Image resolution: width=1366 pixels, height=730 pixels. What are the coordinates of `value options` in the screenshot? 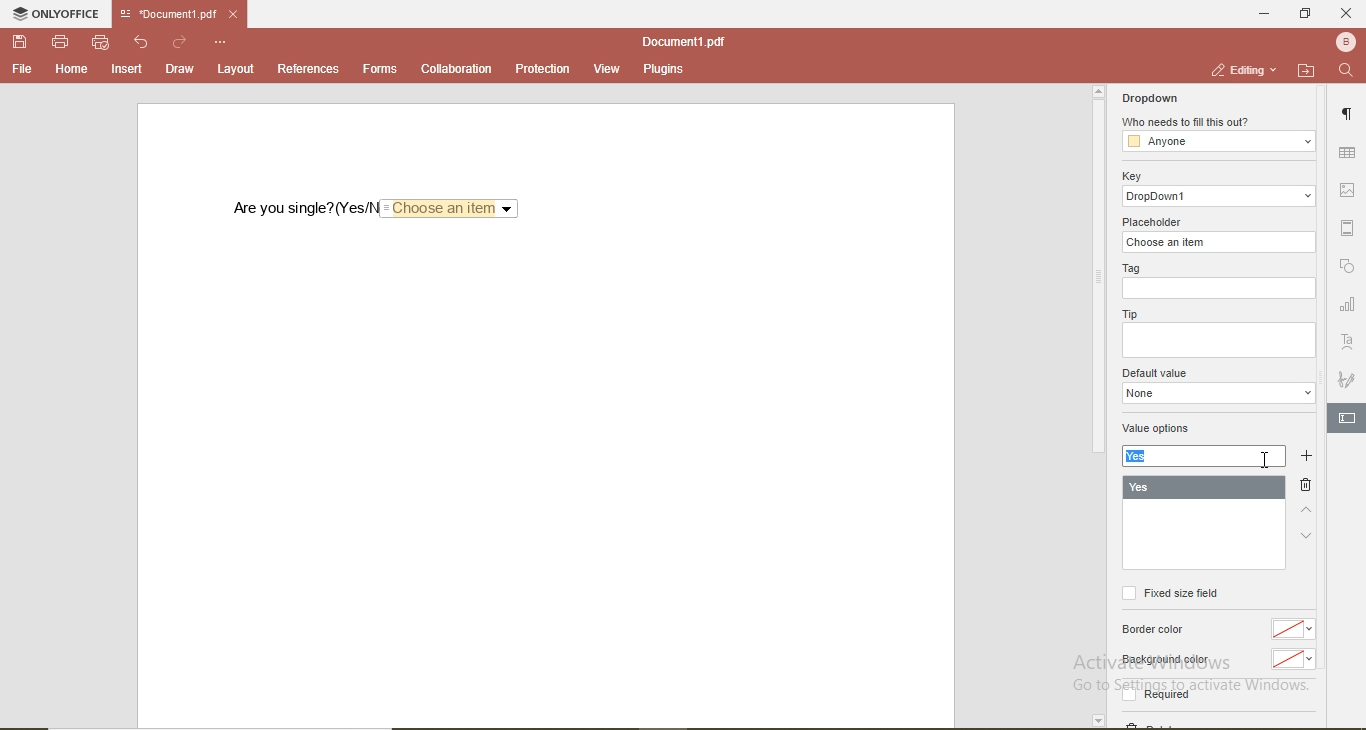 It's located at (1166, 430).